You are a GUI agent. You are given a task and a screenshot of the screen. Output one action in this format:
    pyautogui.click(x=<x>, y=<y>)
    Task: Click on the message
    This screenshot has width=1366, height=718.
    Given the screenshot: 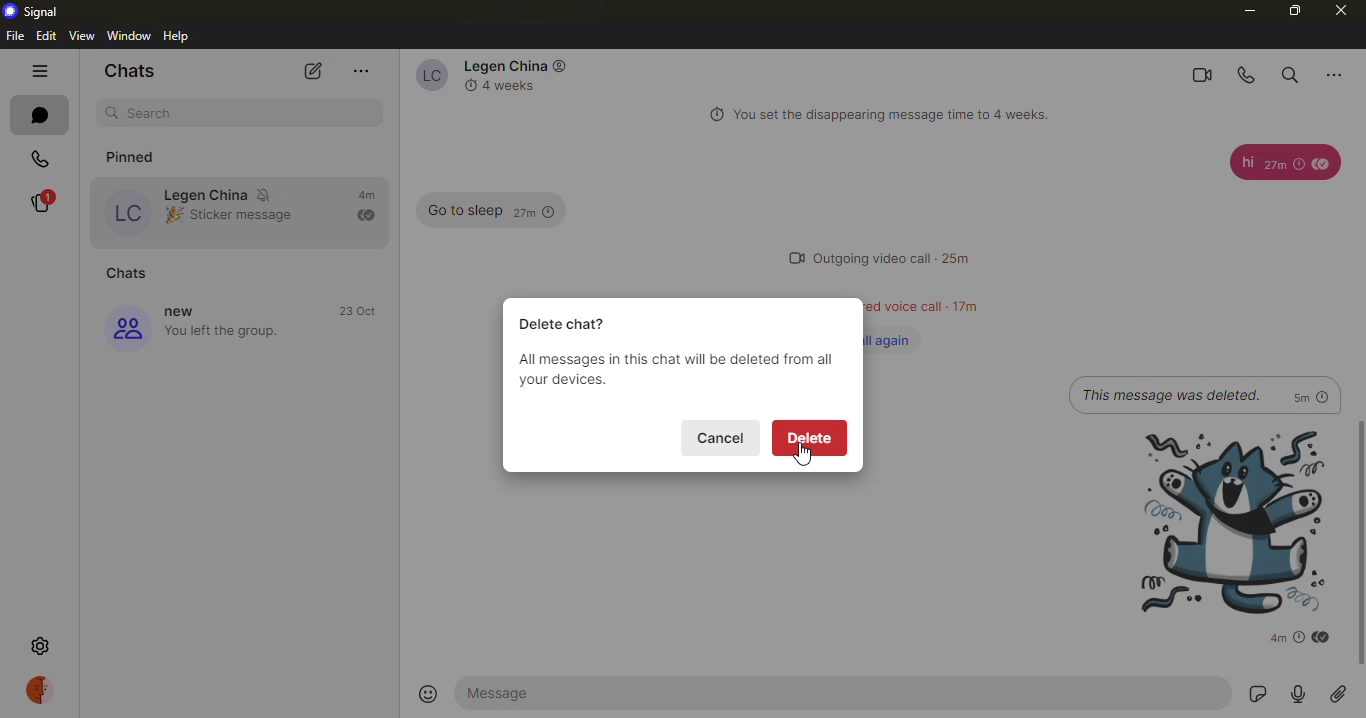 What is the action you would take?
    pyautogui.click(x=1242, y=163)
    